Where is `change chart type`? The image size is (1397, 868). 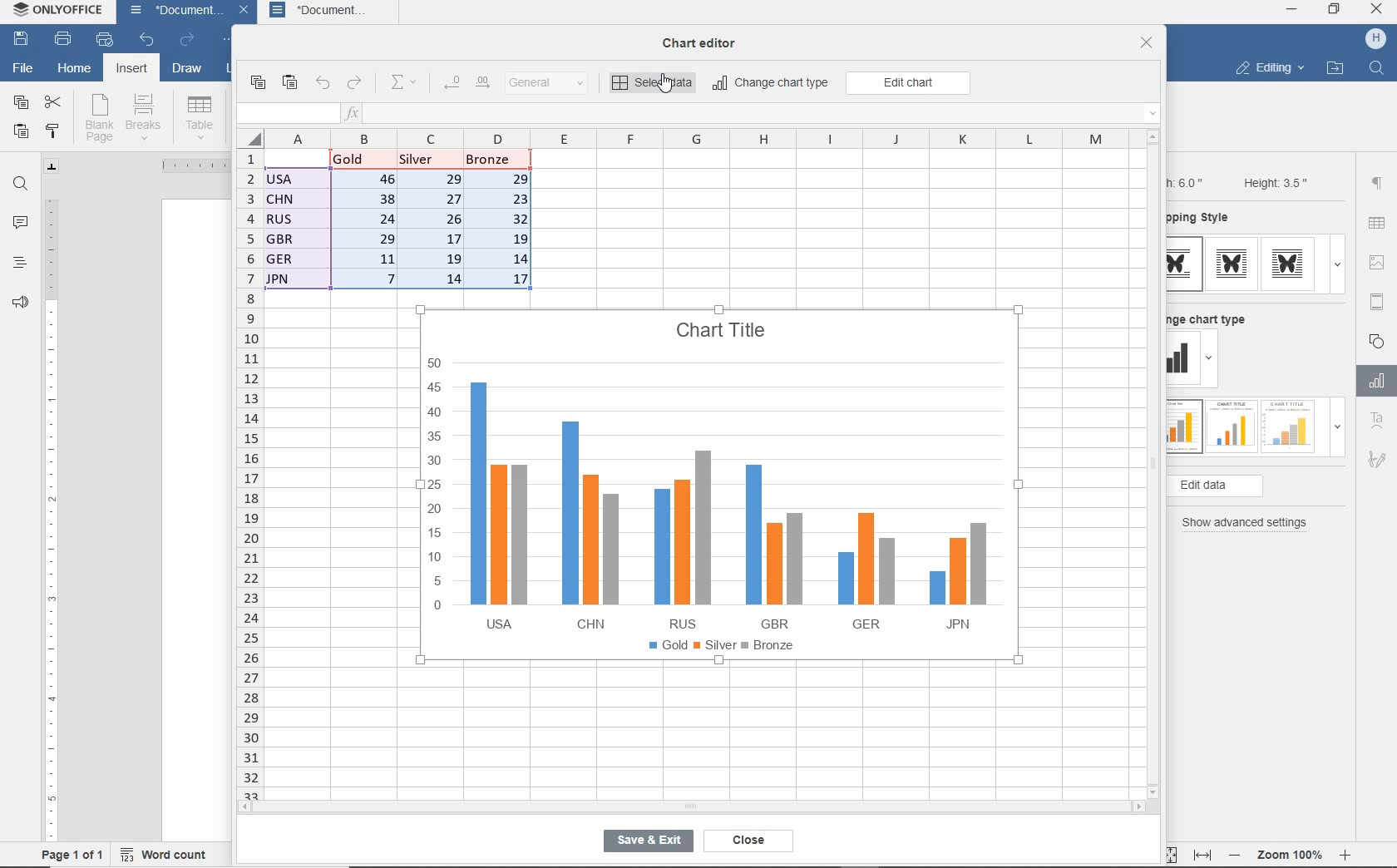 change chart type is located at coordinates (1214, 318).